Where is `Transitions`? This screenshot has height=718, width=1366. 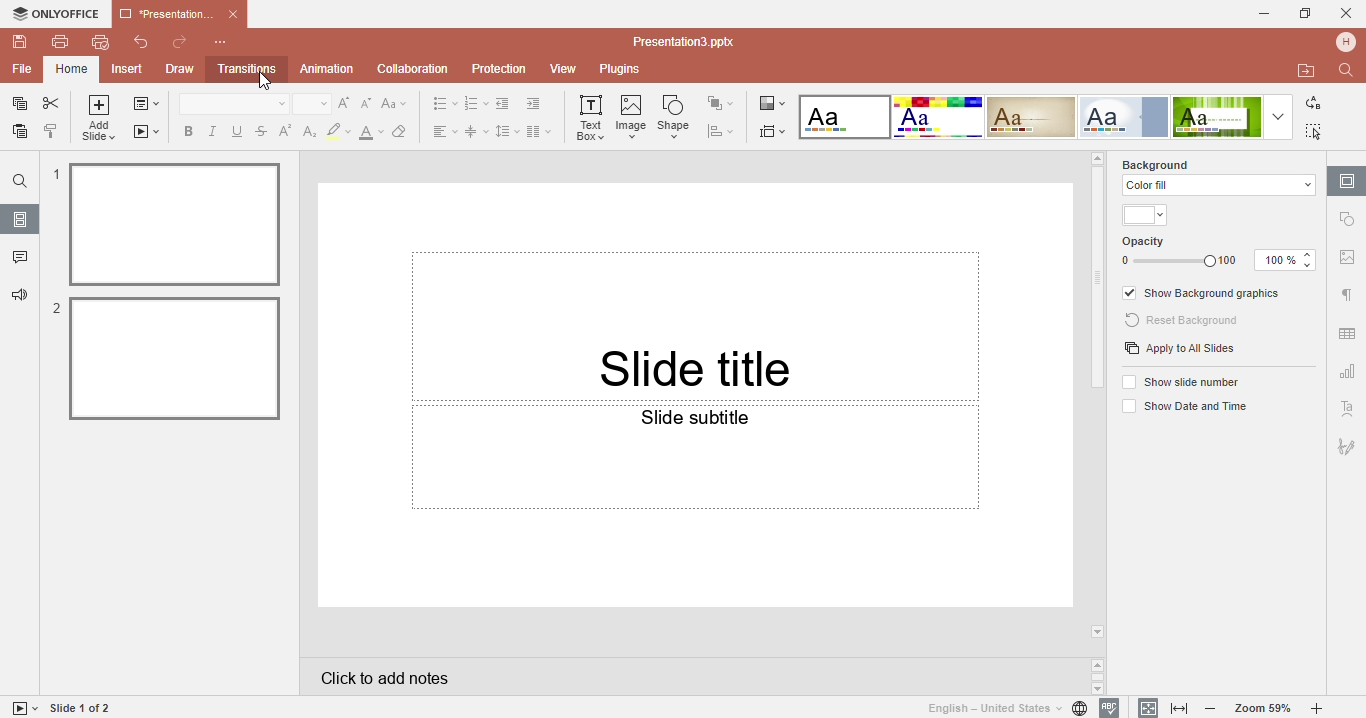 Transitions is located at coordinates (243, 71).